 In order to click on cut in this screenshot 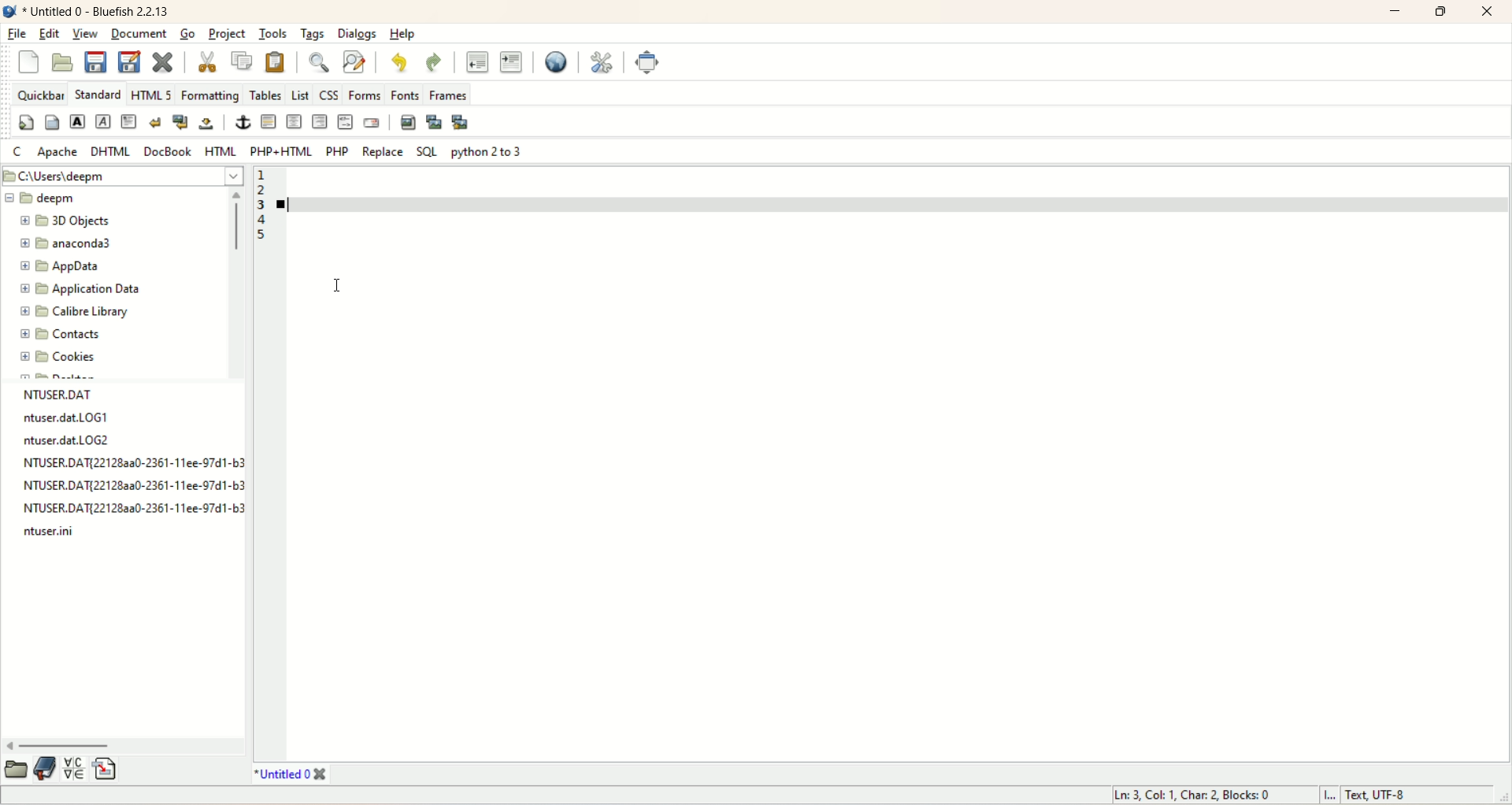, I will do `click(206, 62)`.